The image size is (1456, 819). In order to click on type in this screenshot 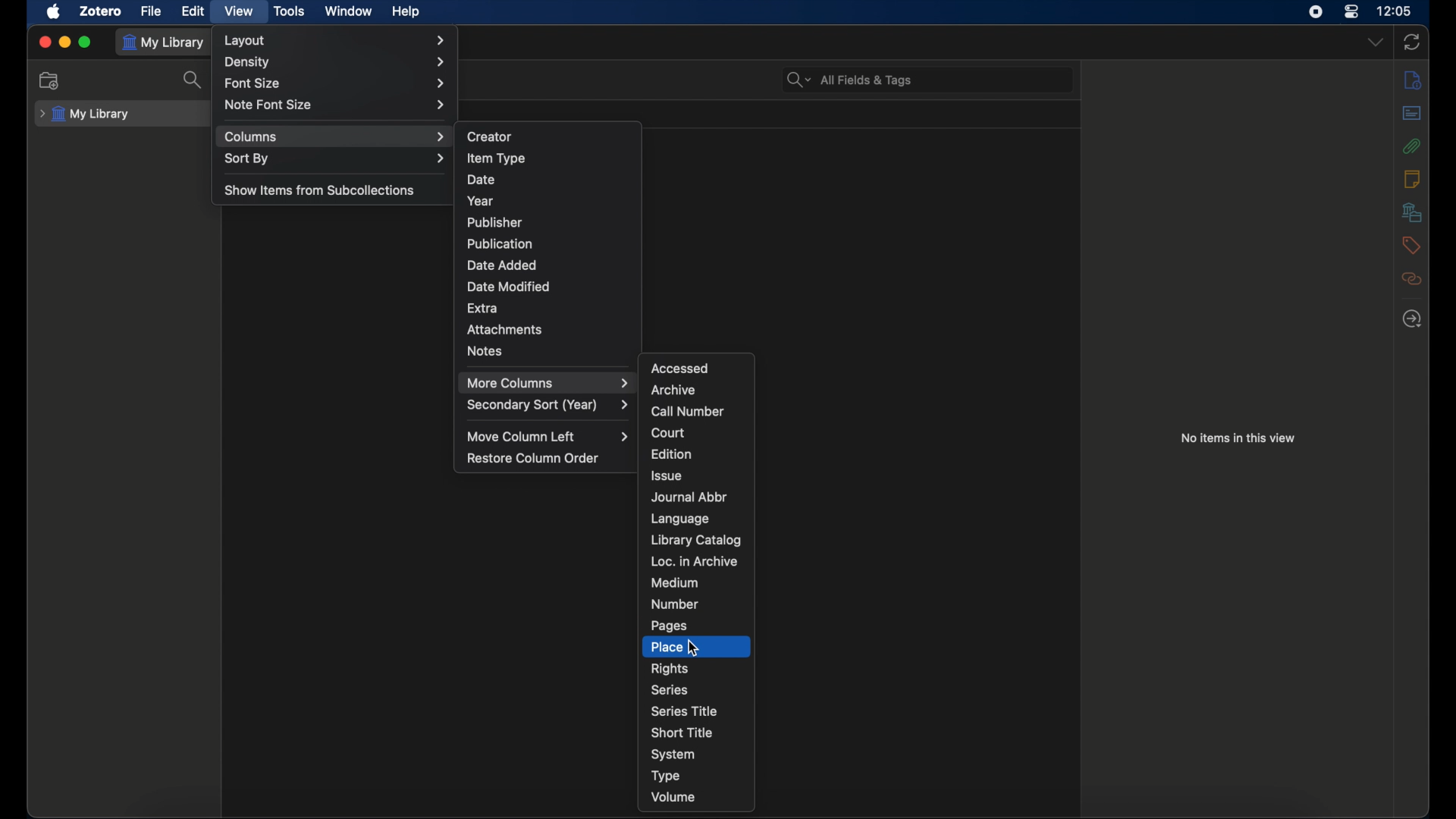, I will do `click(666, 776)`.